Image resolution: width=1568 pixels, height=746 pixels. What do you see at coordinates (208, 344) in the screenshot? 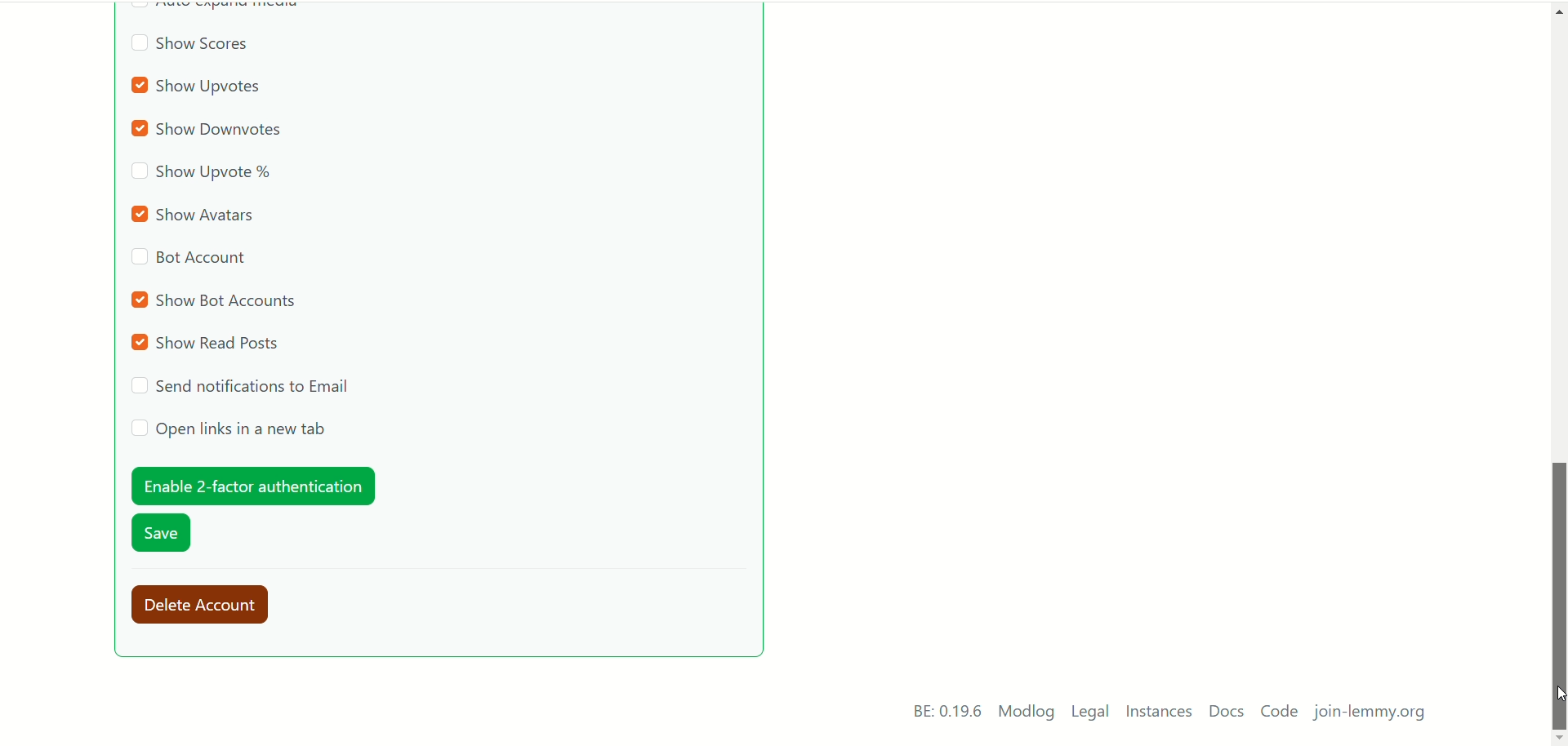
I see `show read posts` at bounding box center [208, 344].